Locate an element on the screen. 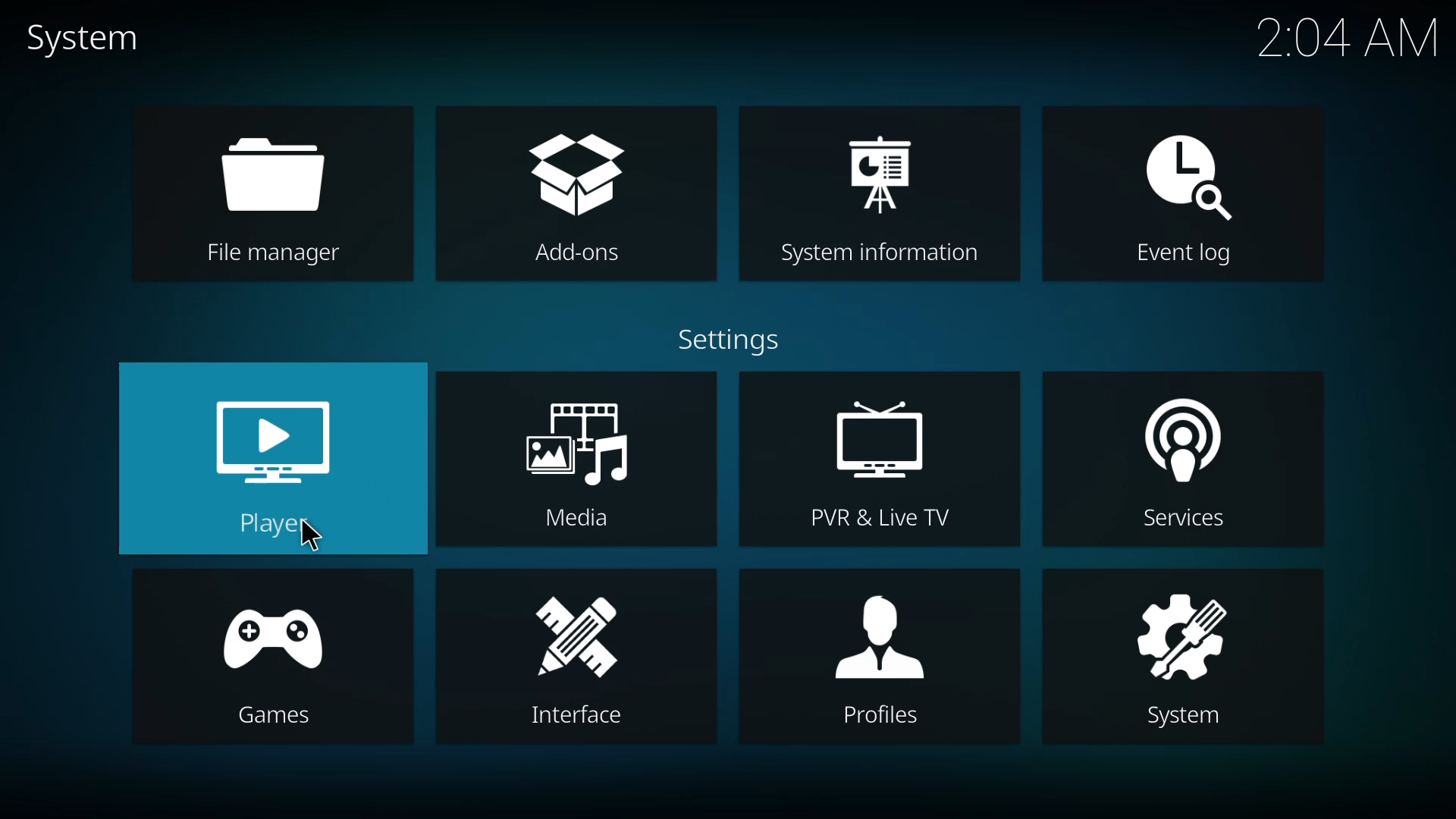  system is located at coordinates (82, 35).